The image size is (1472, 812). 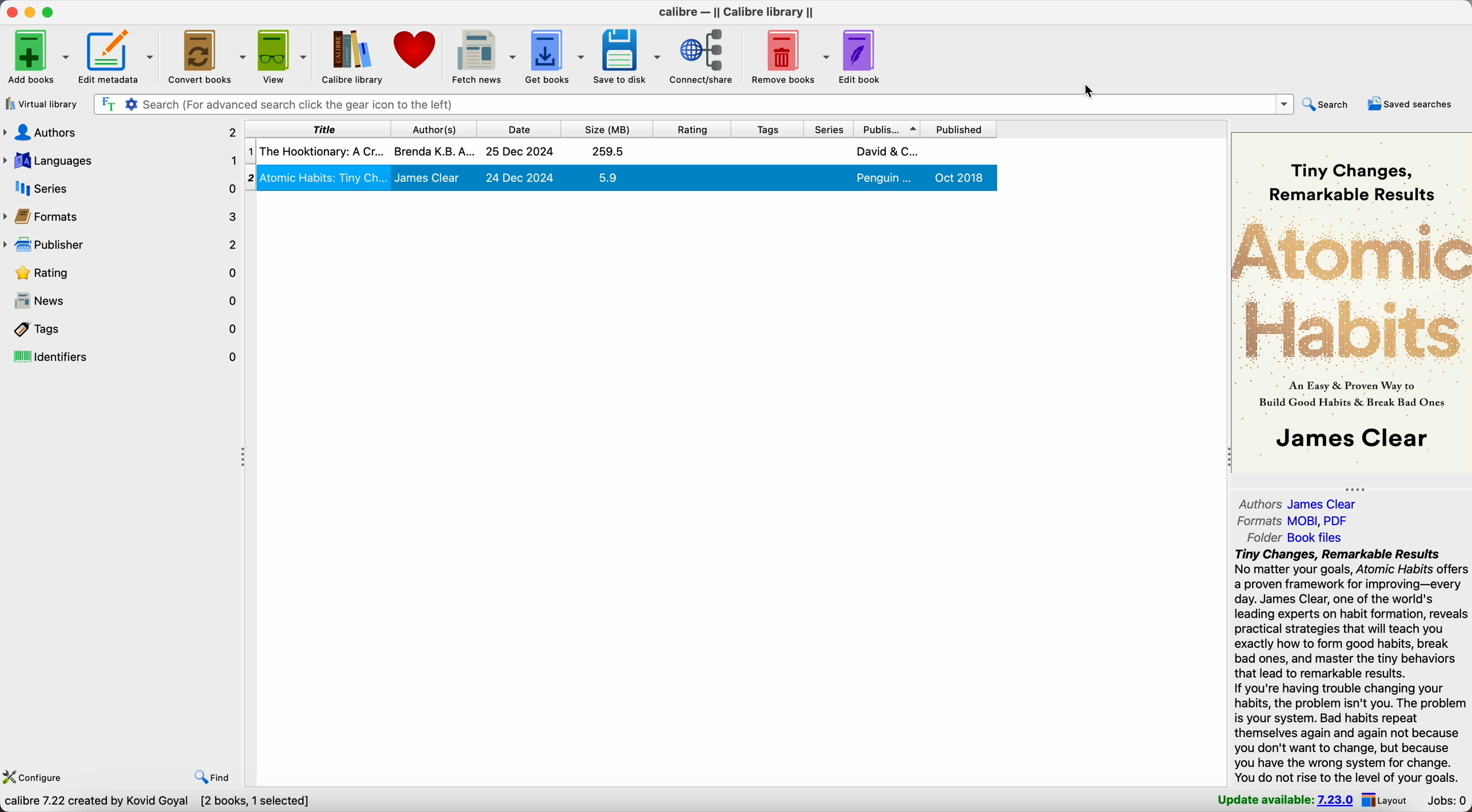 I want to click on 25 Dec 2024, so click(x=520, y=152).